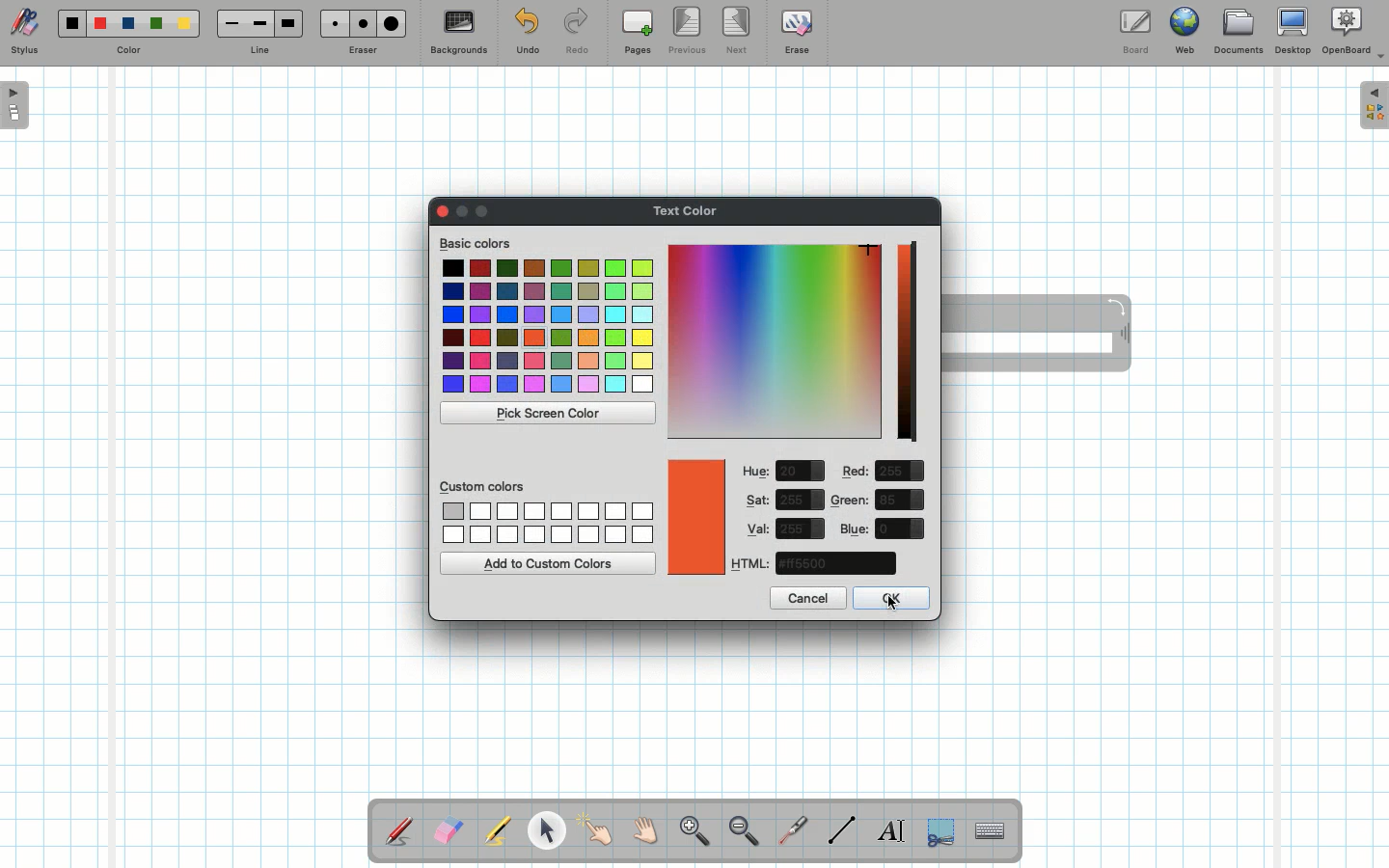 The height and width of the screenshot is (868, 1389). Describe the element at coordinates (842, 829) in the screenshot. I see `Line` at that location.